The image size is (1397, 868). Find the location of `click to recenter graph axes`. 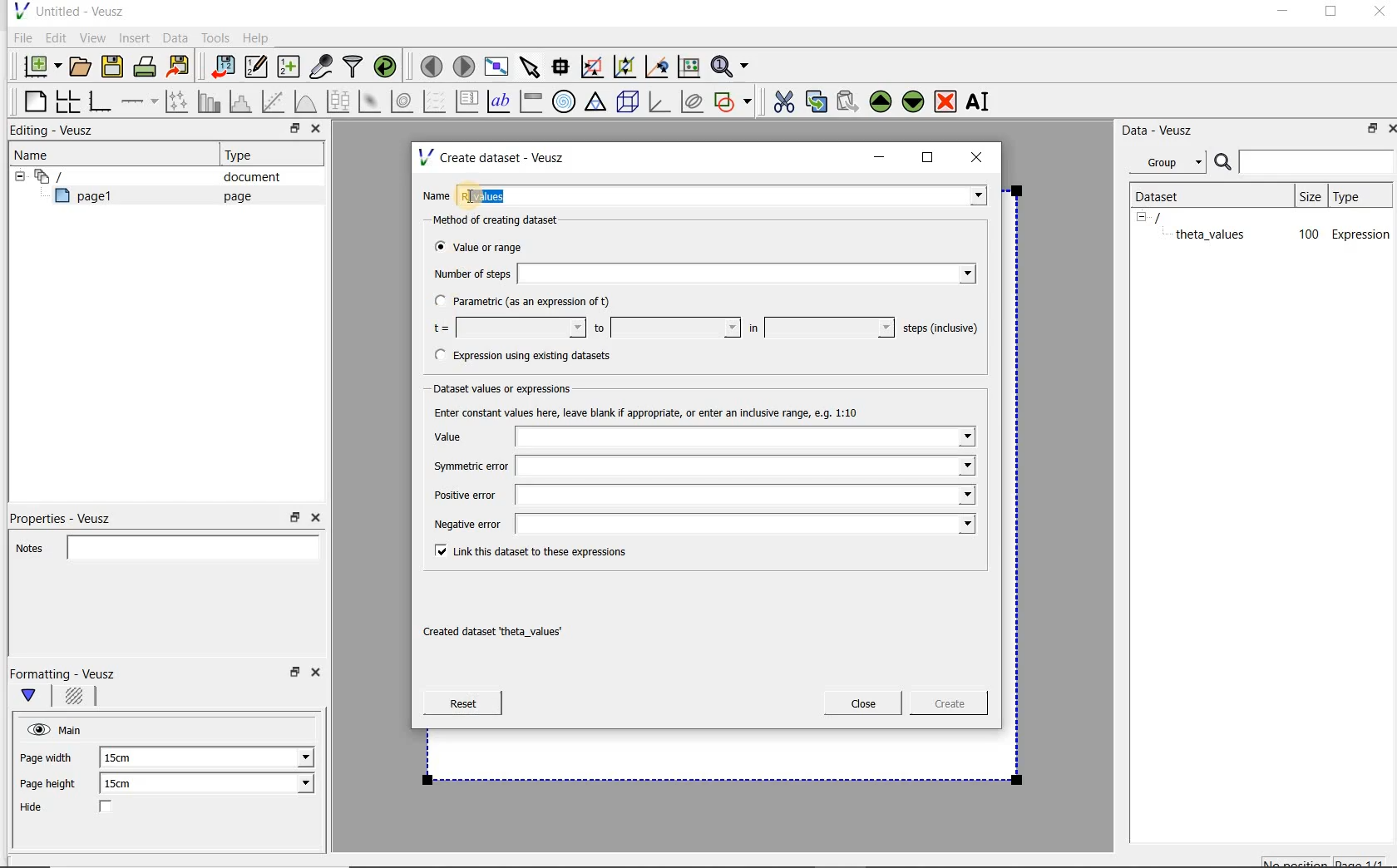

click to recenter graph axes is located at coordinates (658, 67).